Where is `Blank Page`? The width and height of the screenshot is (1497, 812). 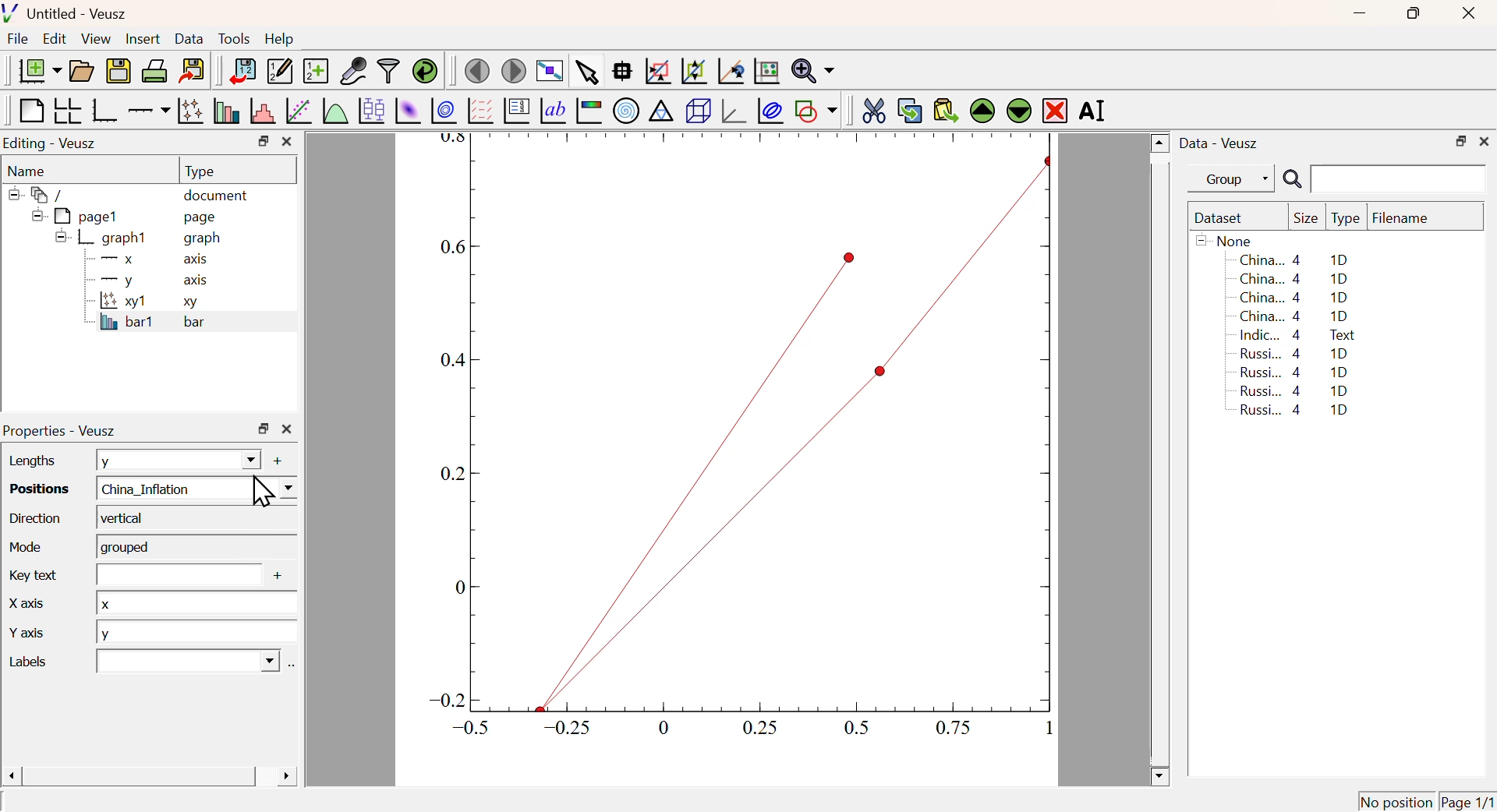 Blank Page is located at coordinates (30, 111).